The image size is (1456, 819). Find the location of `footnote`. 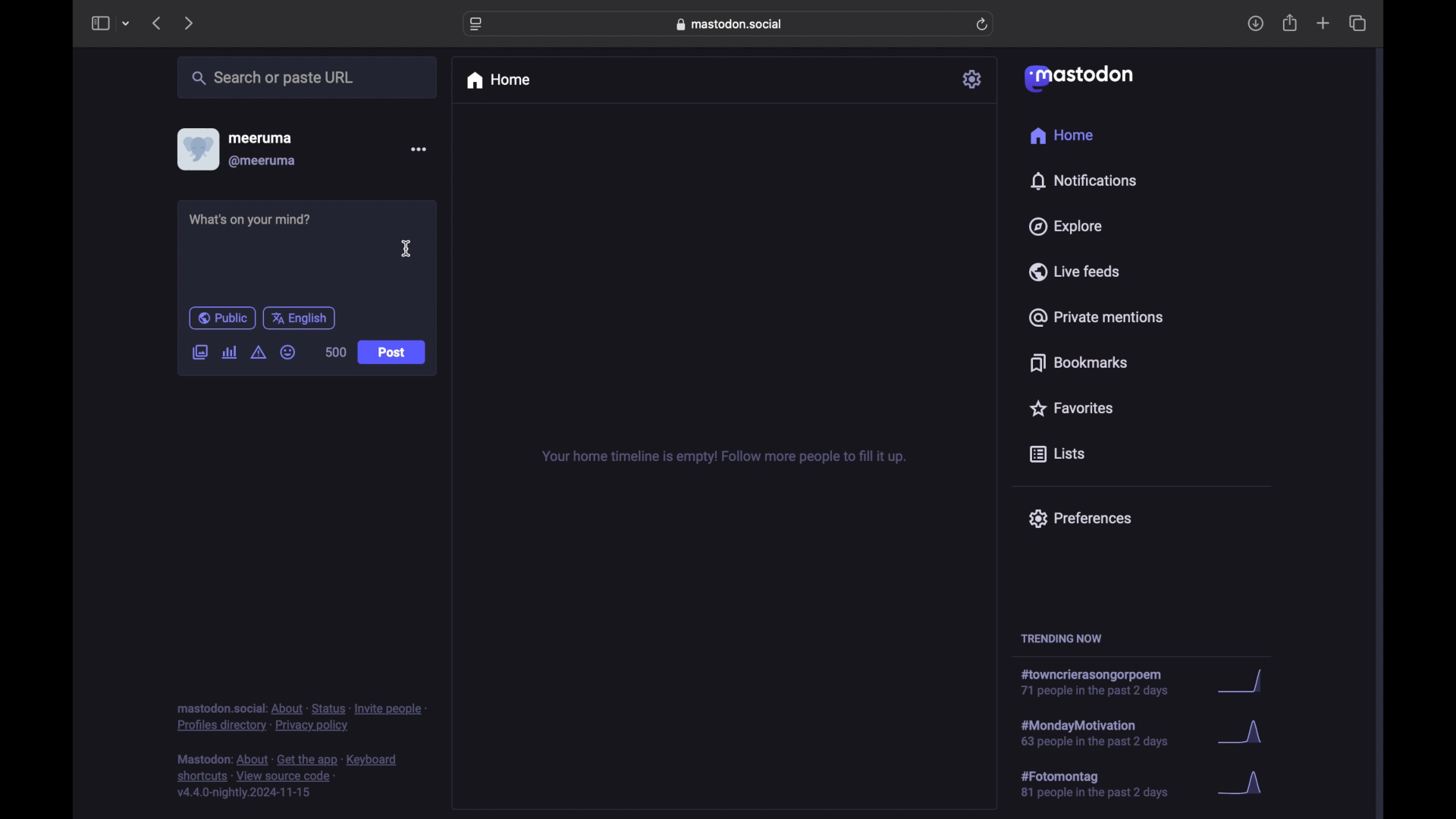

footnote is located at coordinates (301, 718).